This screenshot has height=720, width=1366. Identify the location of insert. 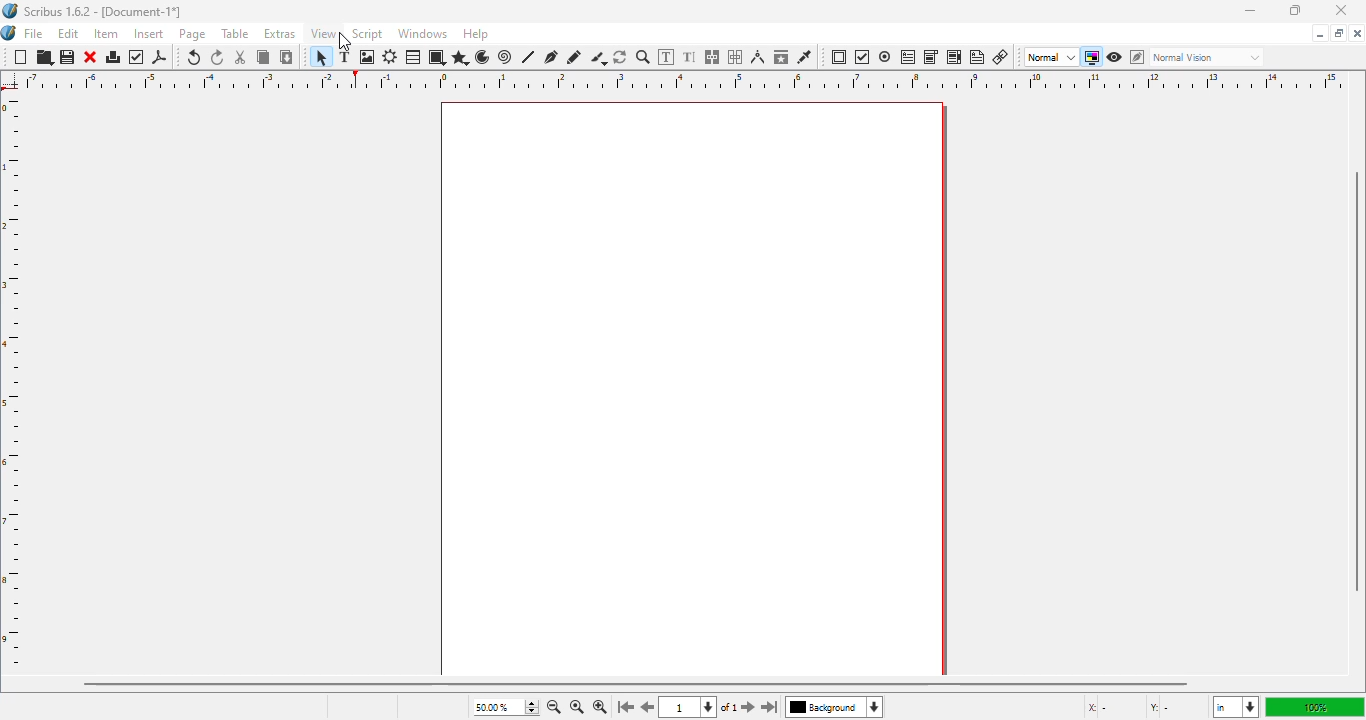
(149, 33).